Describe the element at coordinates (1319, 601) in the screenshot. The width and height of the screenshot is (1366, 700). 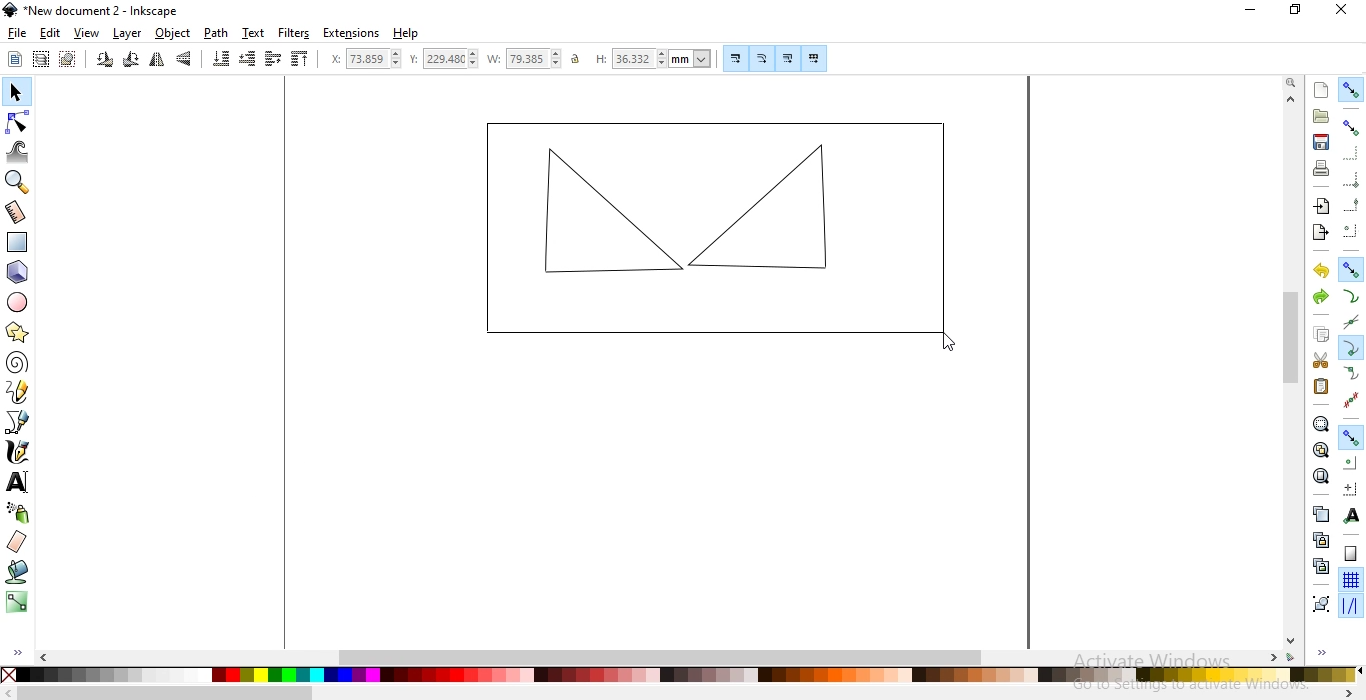
I see `group selected objects` at that location.